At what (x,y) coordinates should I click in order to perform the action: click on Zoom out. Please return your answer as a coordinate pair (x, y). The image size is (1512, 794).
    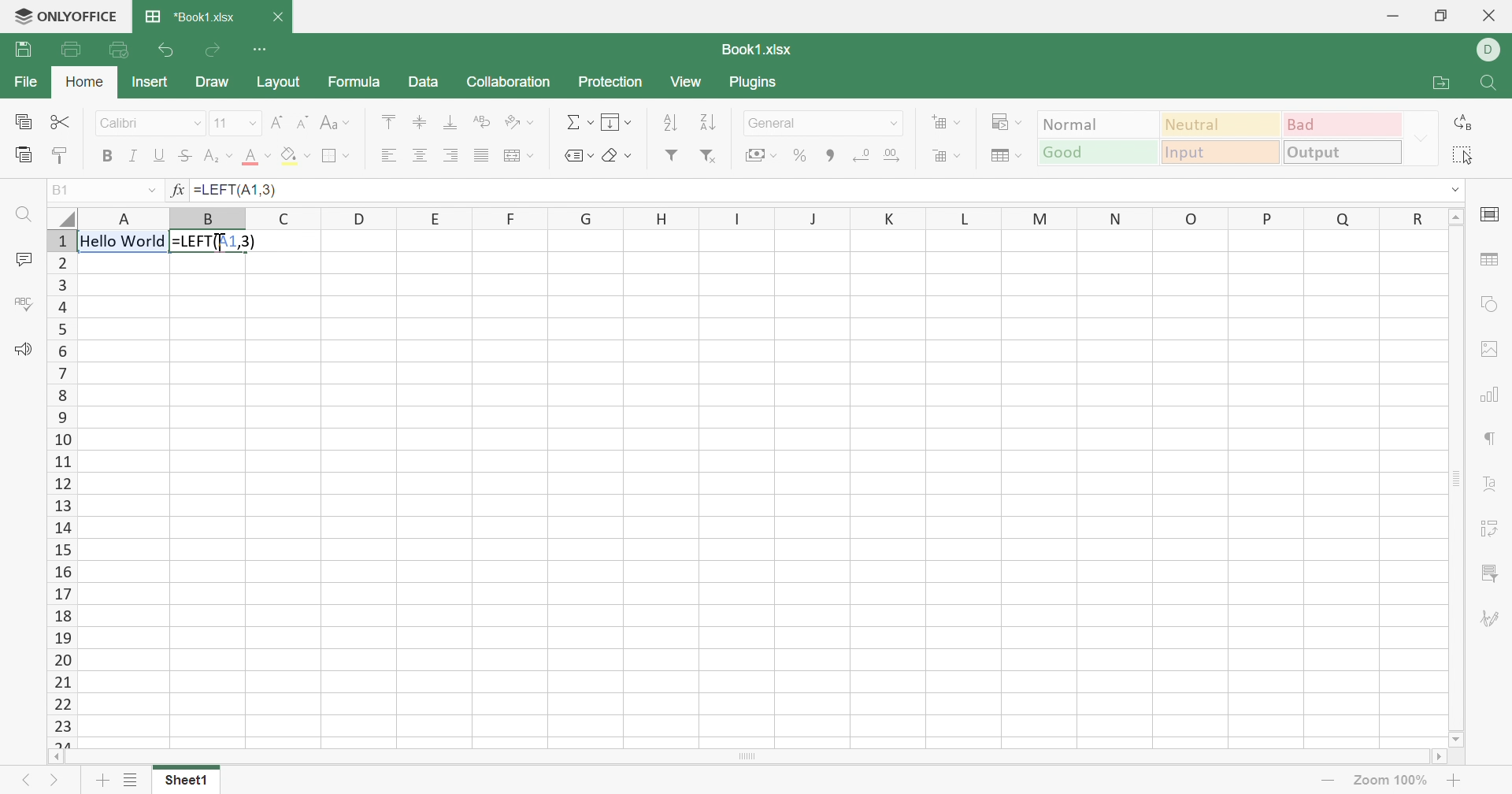
    Looking at the image, I should click on (1328, 781).